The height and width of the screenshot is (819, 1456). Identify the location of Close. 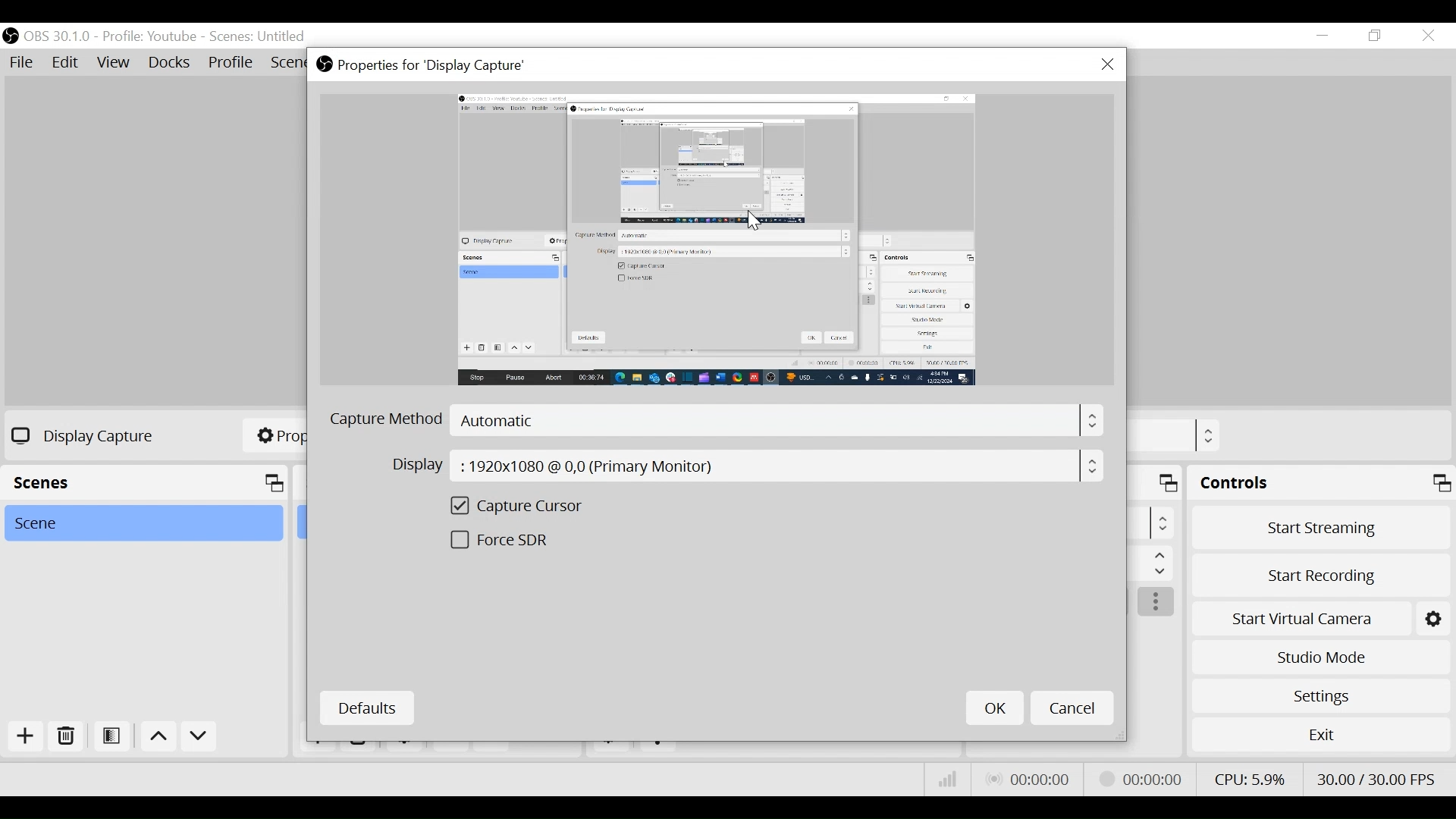
(1429, 37).